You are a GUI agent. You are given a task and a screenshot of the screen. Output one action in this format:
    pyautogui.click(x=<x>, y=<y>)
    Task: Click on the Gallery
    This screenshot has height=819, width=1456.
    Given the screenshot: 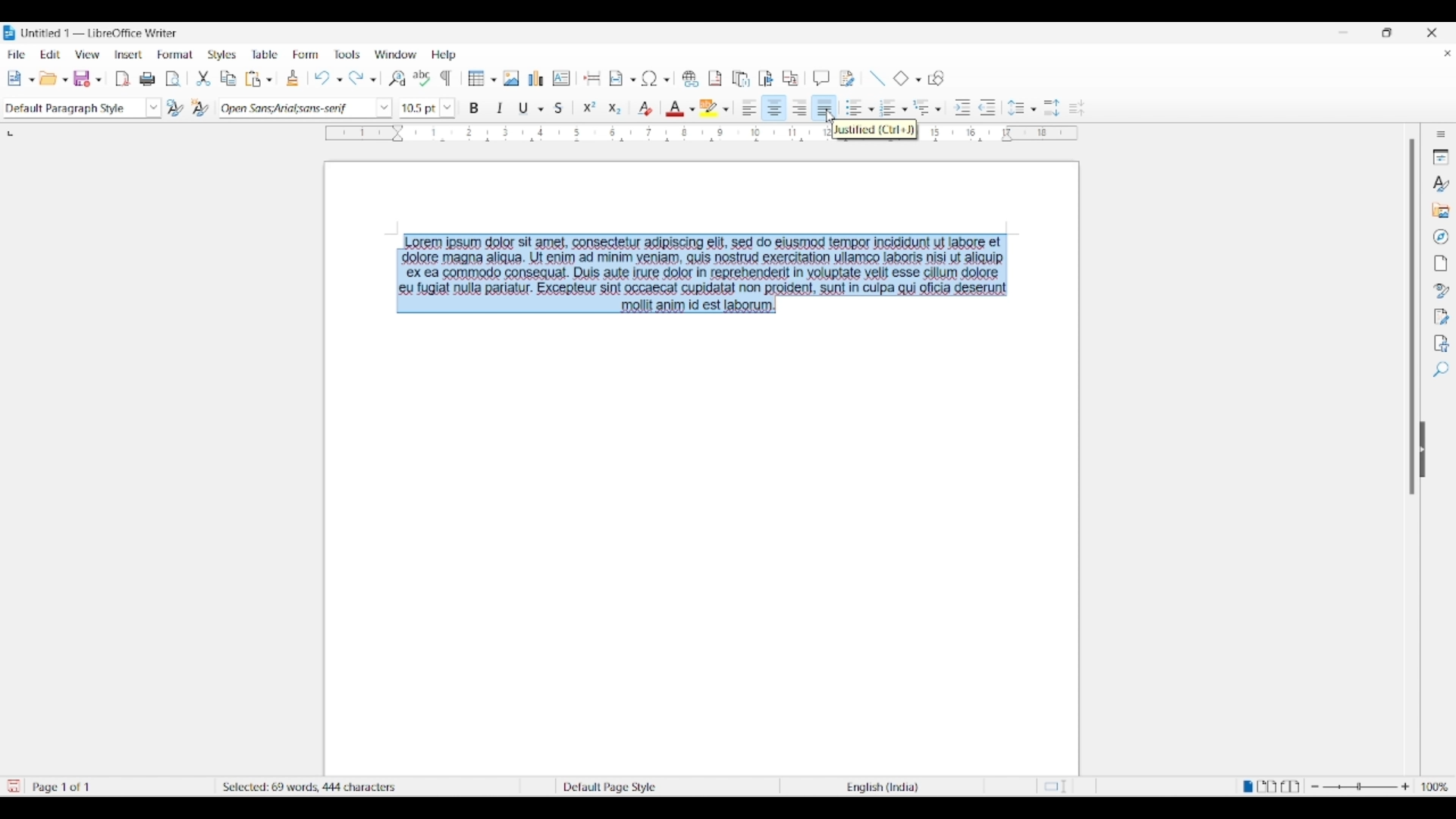 What is the action you would take?
    pyautogui.click(x=1440, y=210)
    